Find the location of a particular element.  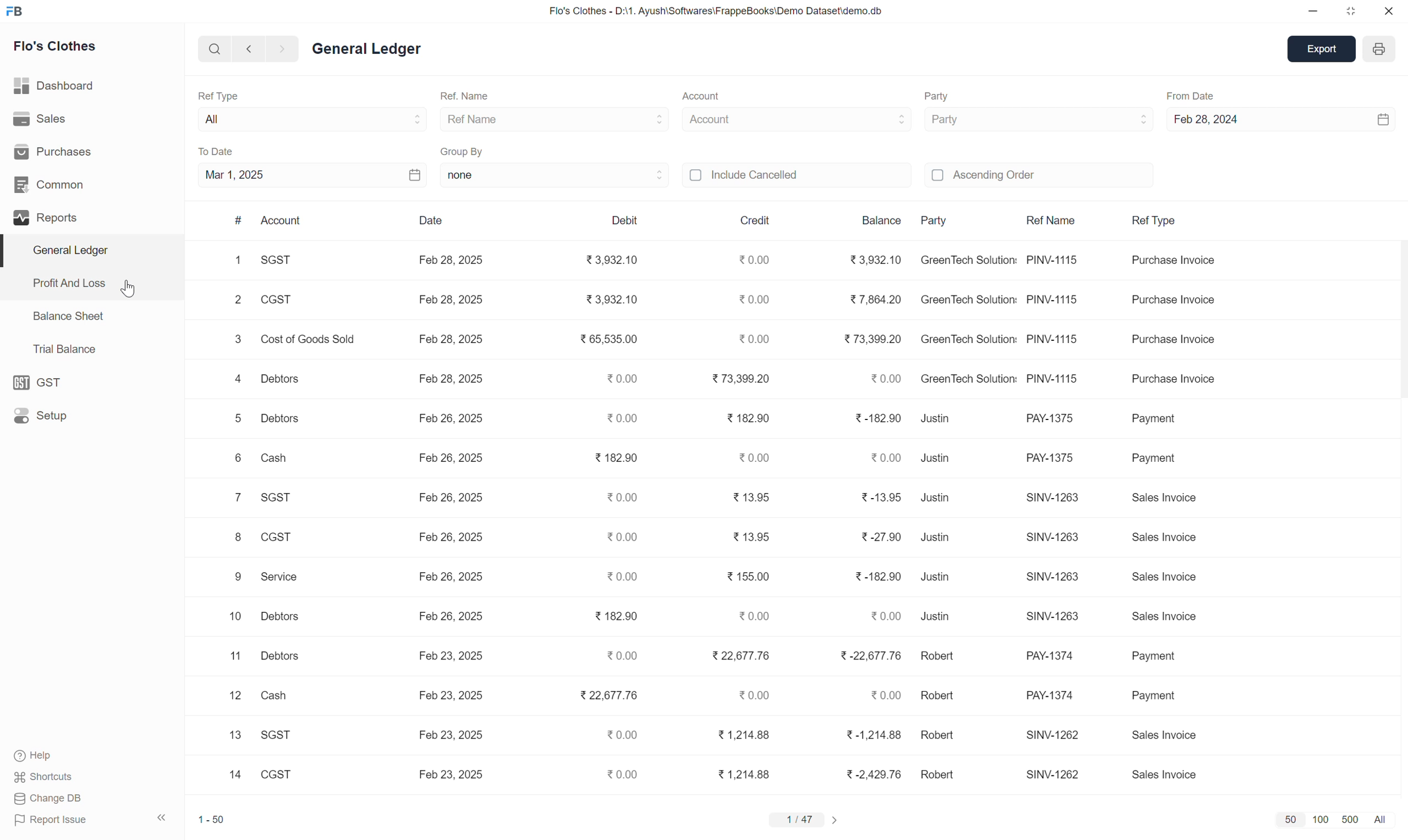

4 is located at coordinates (238, 382).